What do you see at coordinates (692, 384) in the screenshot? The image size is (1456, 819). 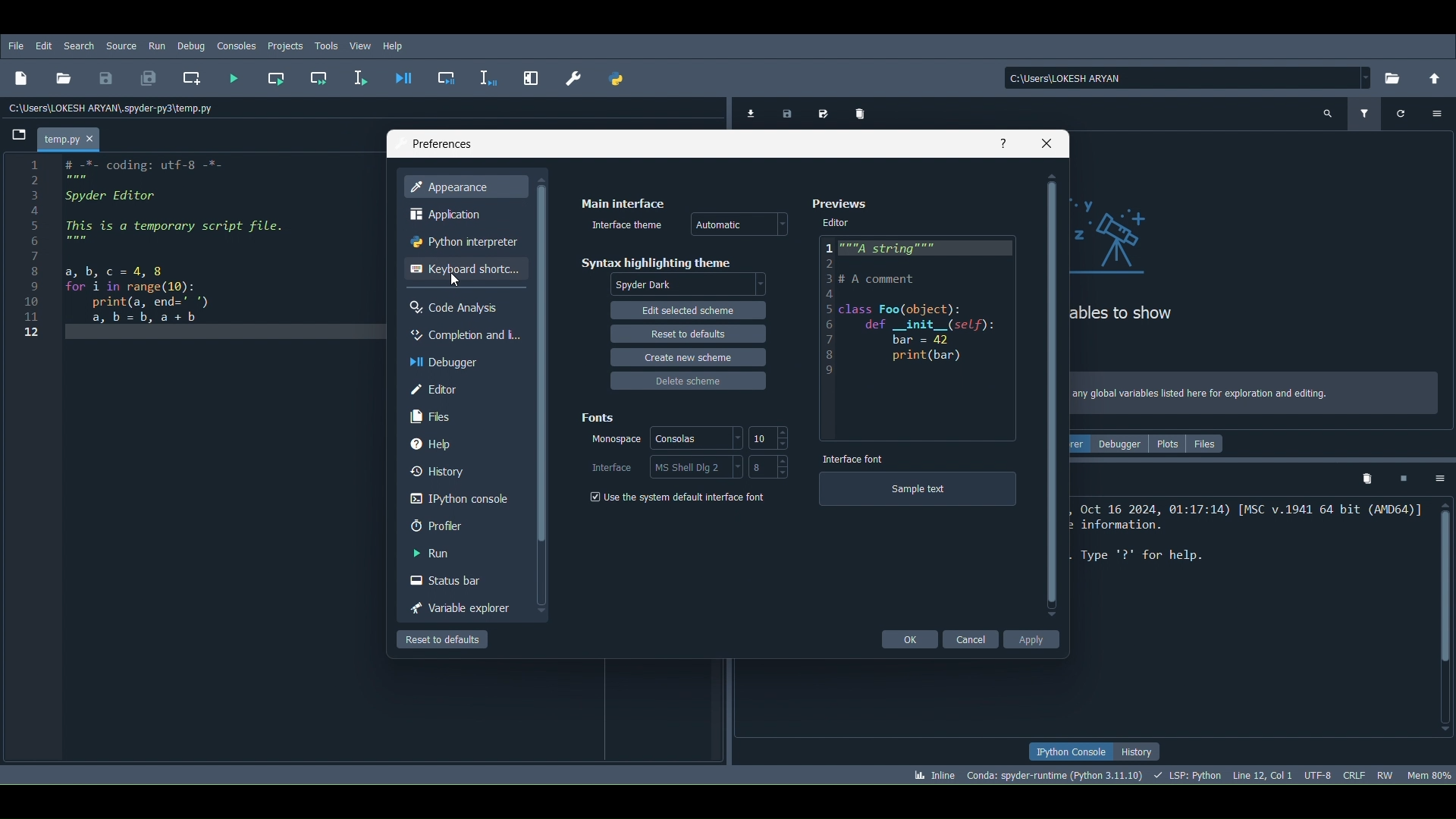 I see `Delete scheme` at bounding box center [692, 384].